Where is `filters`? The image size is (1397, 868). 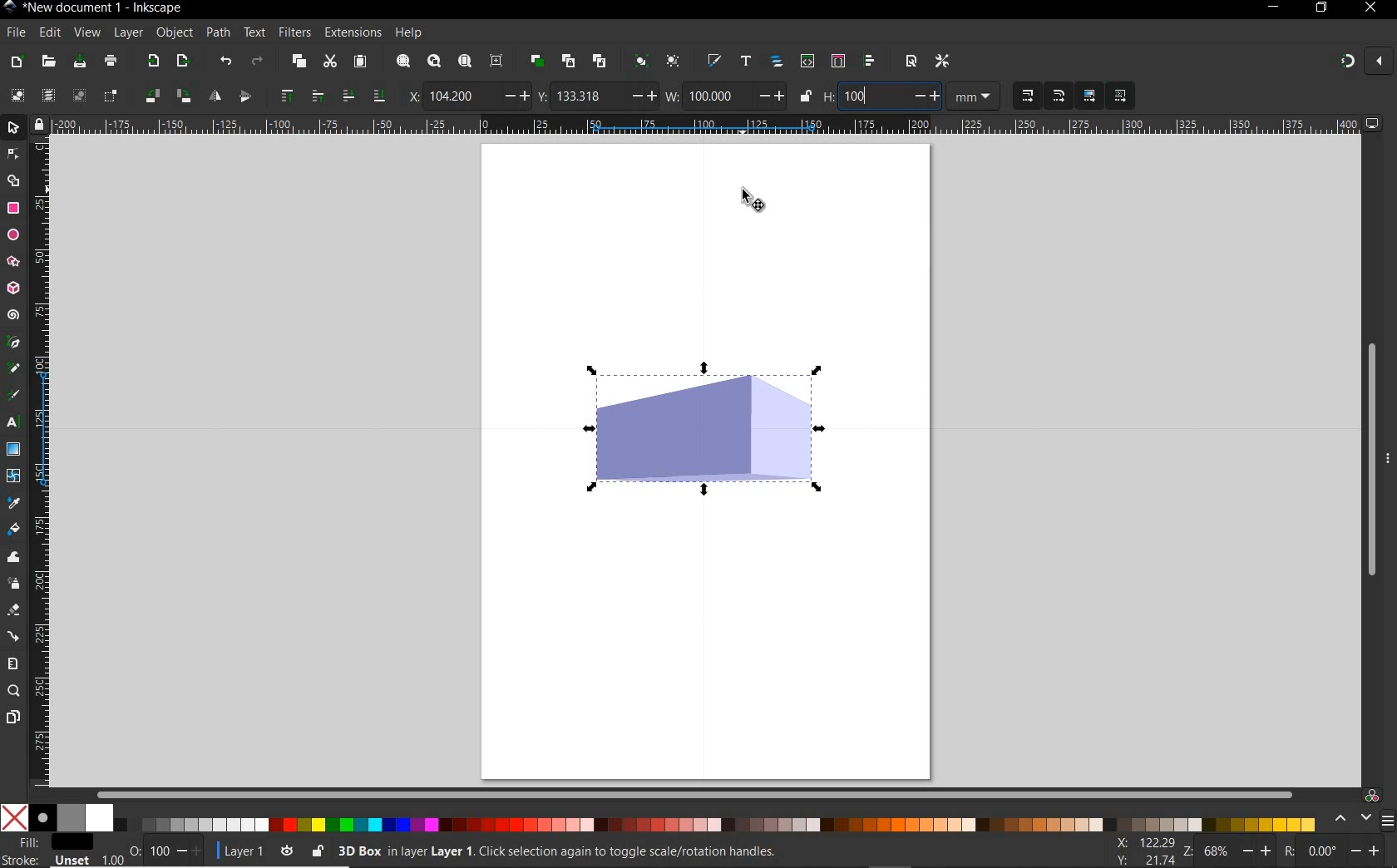
filters is located at coordinates (296, 32).